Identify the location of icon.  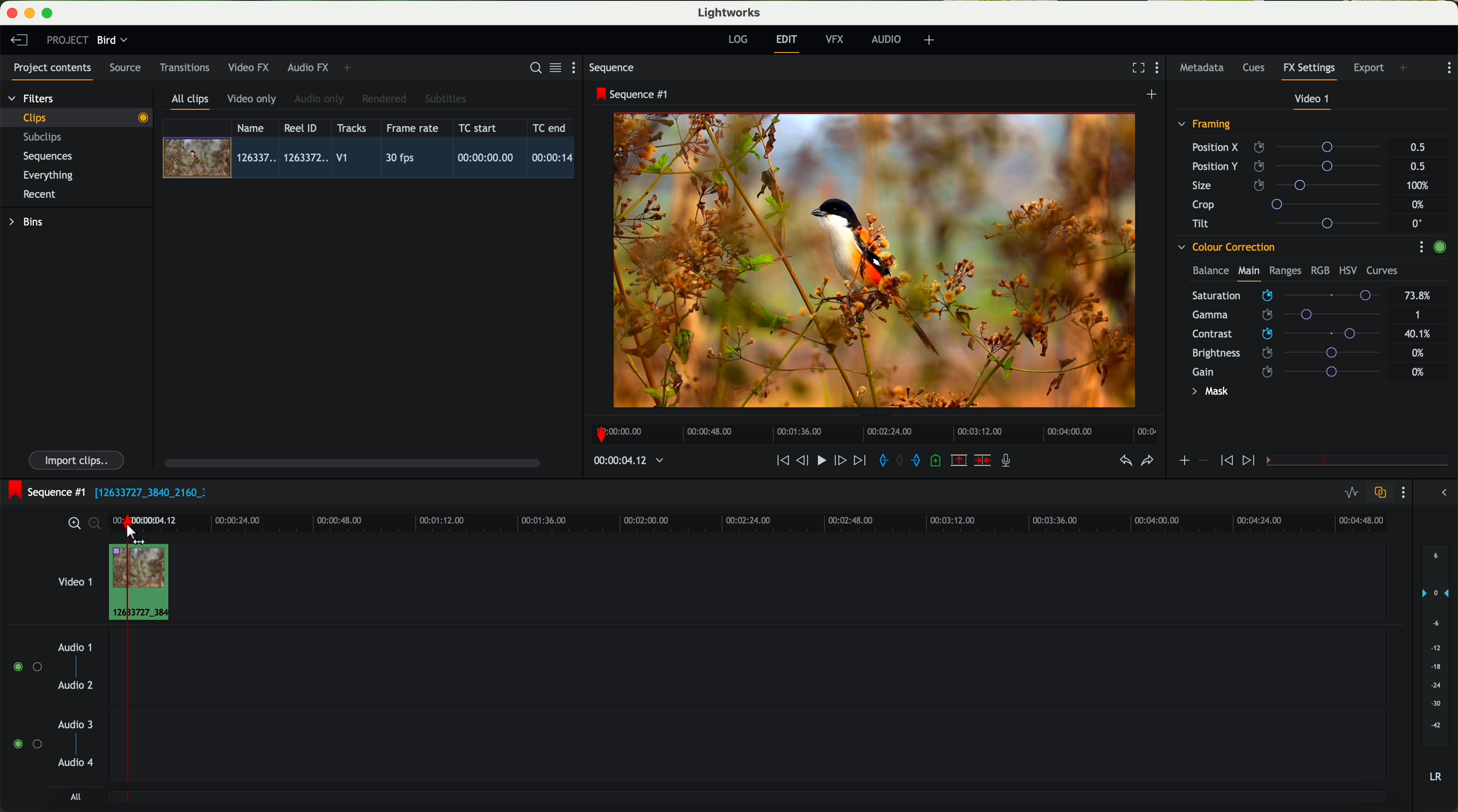
(1183, 462).